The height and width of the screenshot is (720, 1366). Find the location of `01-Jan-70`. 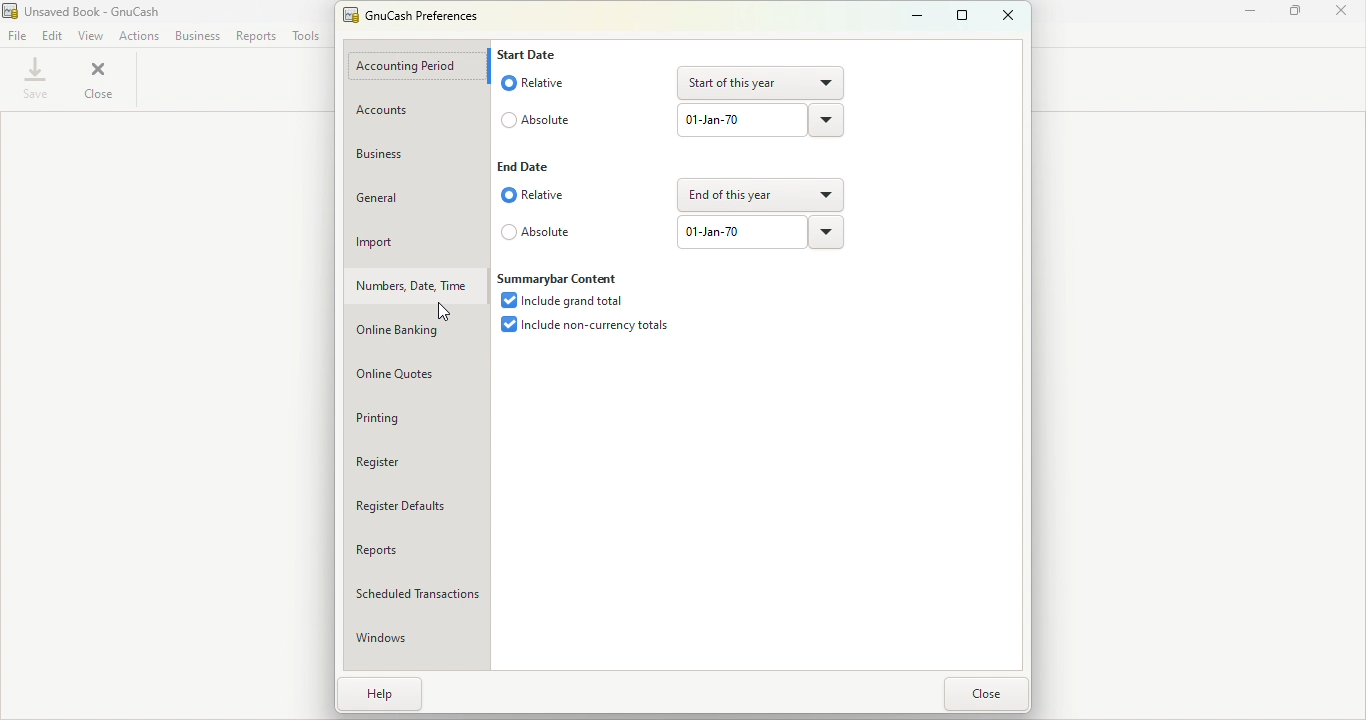

01-Jan-70 is located at coordinates (742, 119).